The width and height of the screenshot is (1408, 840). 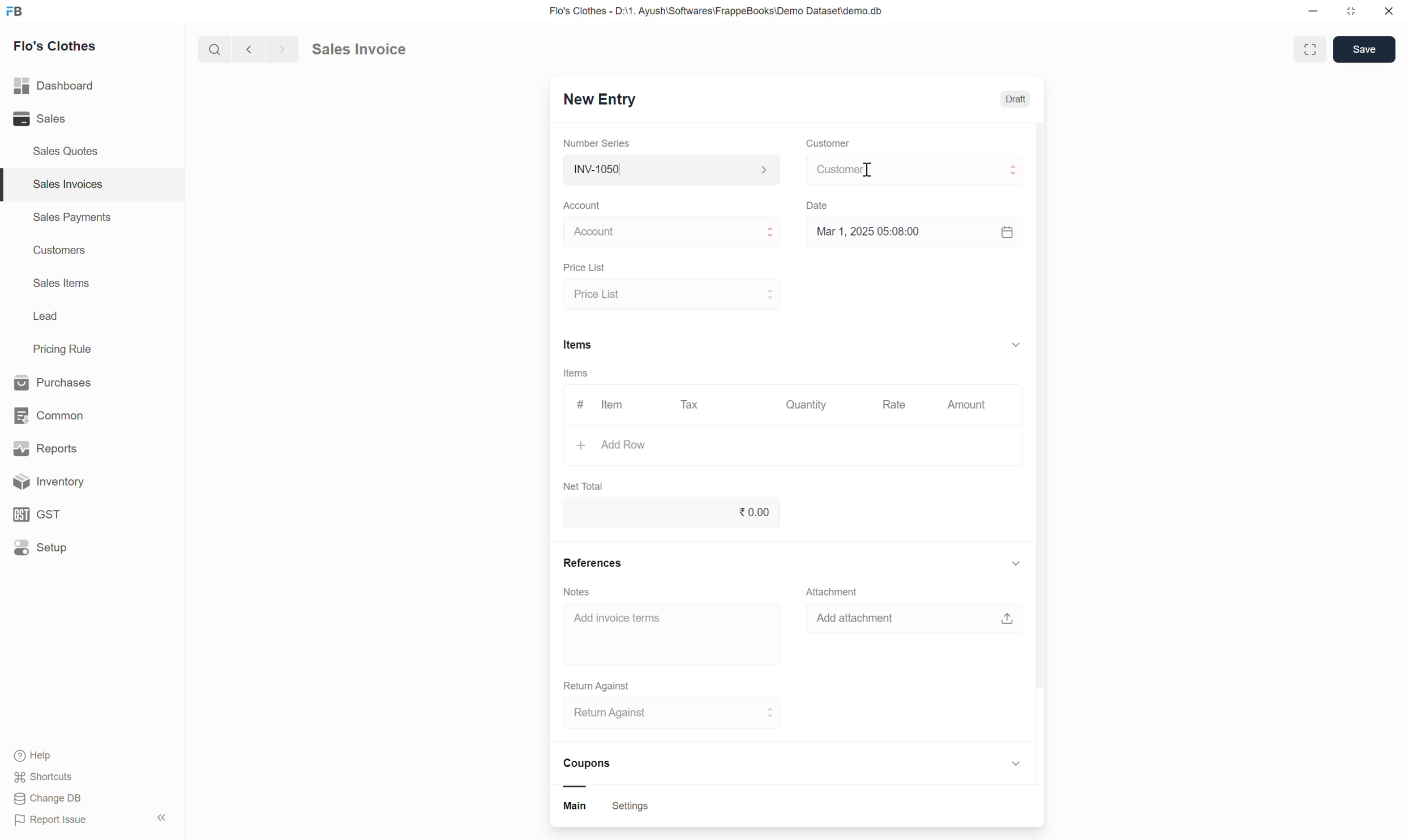 What do you see at coordinates (577, 405) in the screenshot?
I see `#` at bounding box center [577, 405].